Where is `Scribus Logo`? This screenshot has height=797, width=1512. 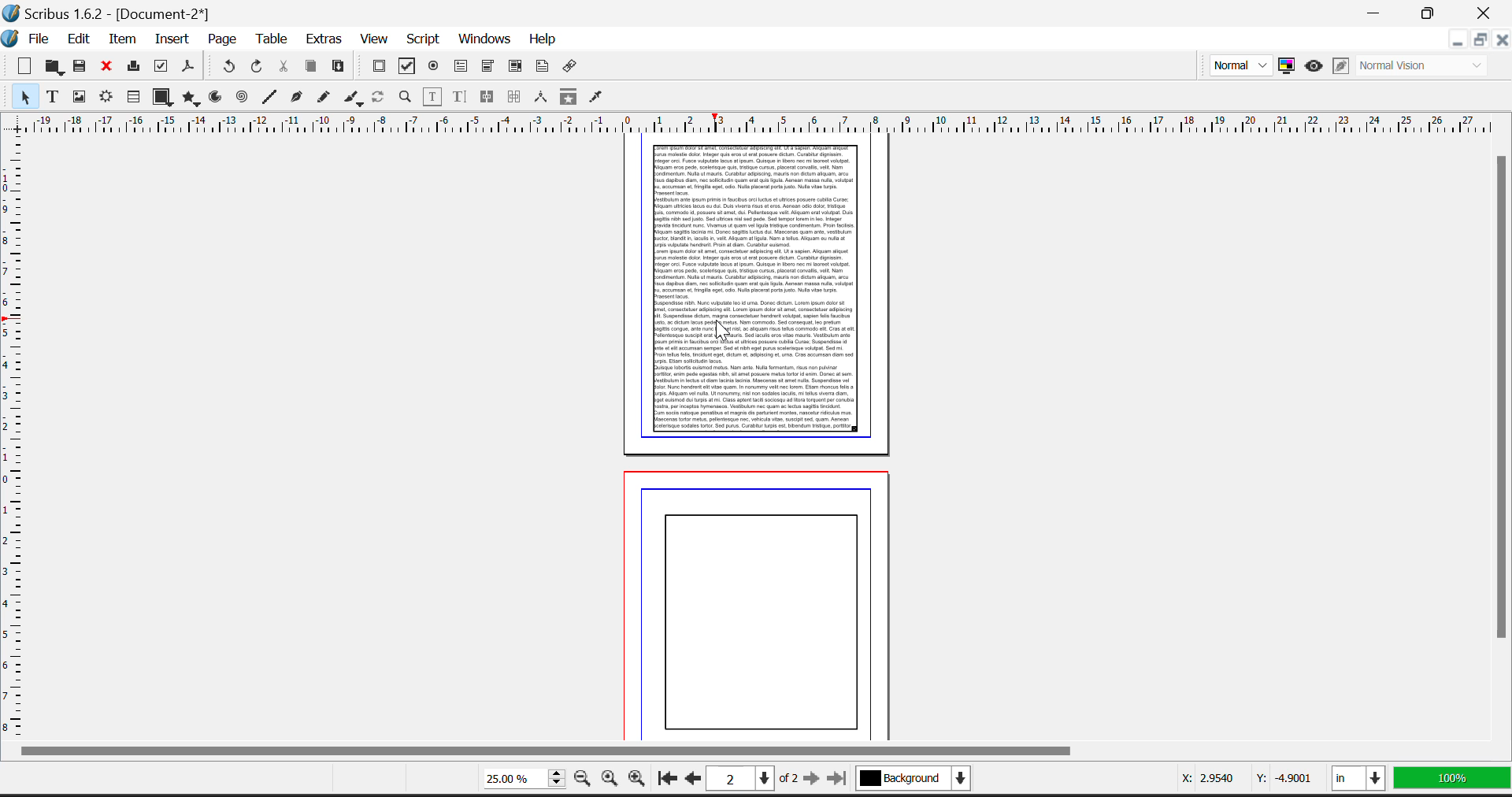 Scribus Logo is located at coordinates (11, 39).